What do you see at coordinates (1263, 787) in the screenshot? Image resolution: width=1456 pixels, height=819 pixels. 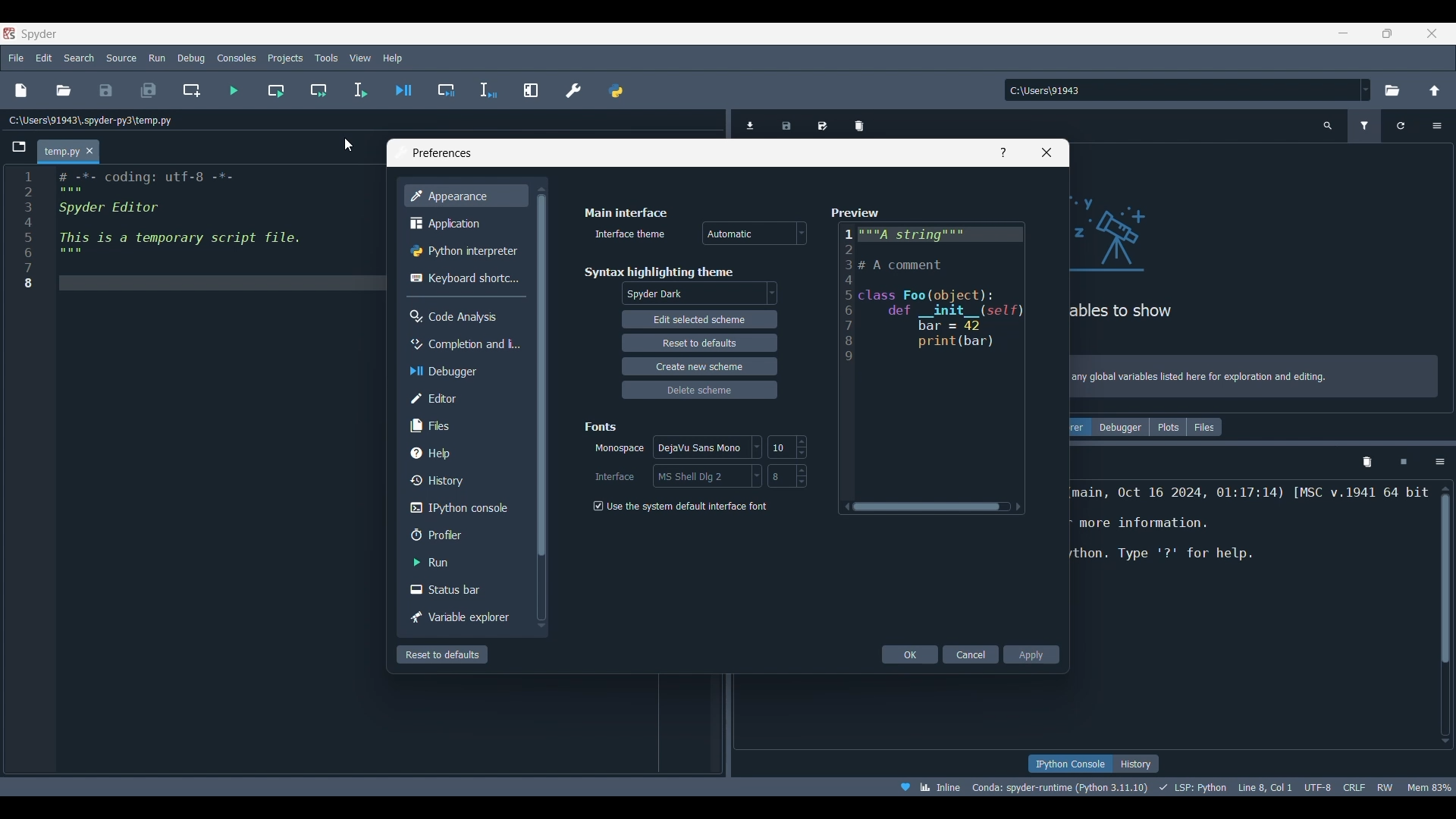 I see `Line 8, Col 1` at bounding box center [1263, 787].